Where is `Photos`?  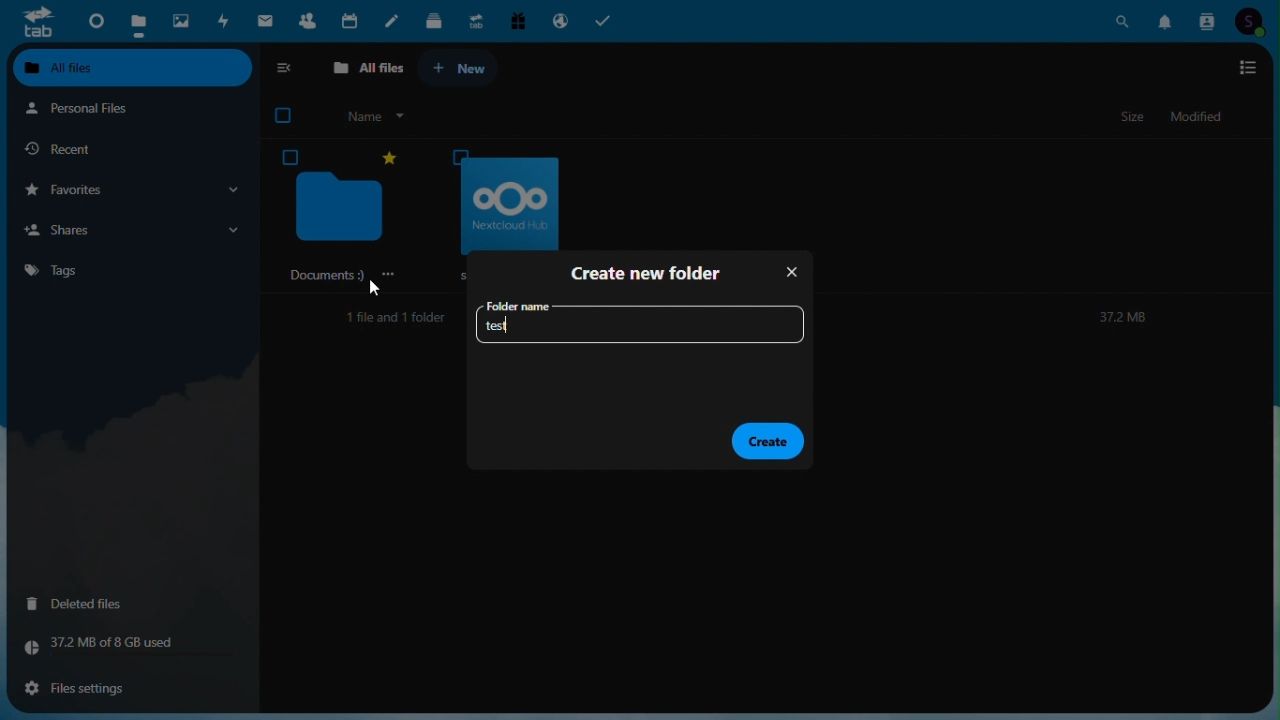
Photos is located at coordinates (181, 21).